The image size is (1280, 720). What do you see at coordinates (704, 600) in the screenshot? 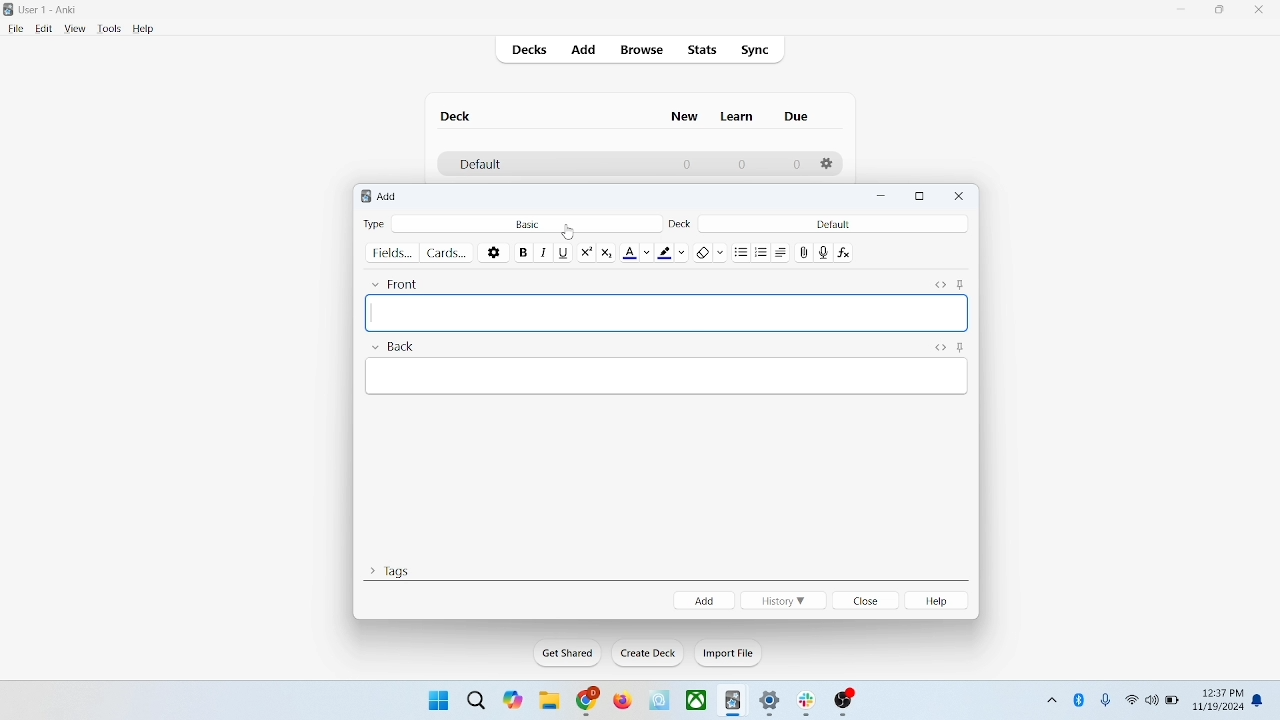
I see `add` at bounding box center [704, 600].